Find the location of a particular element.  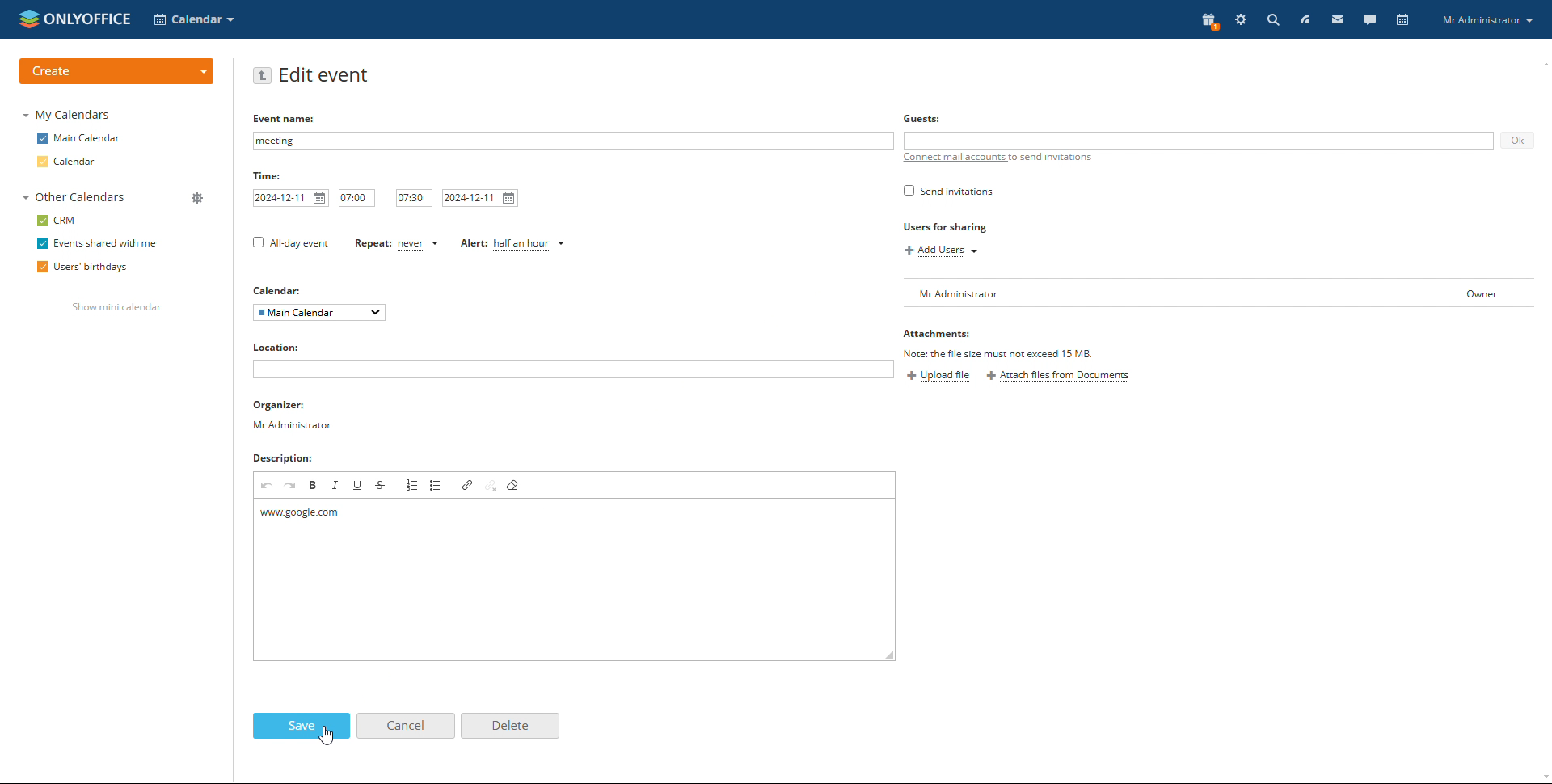

user list is located at coordinates (1219, 293).